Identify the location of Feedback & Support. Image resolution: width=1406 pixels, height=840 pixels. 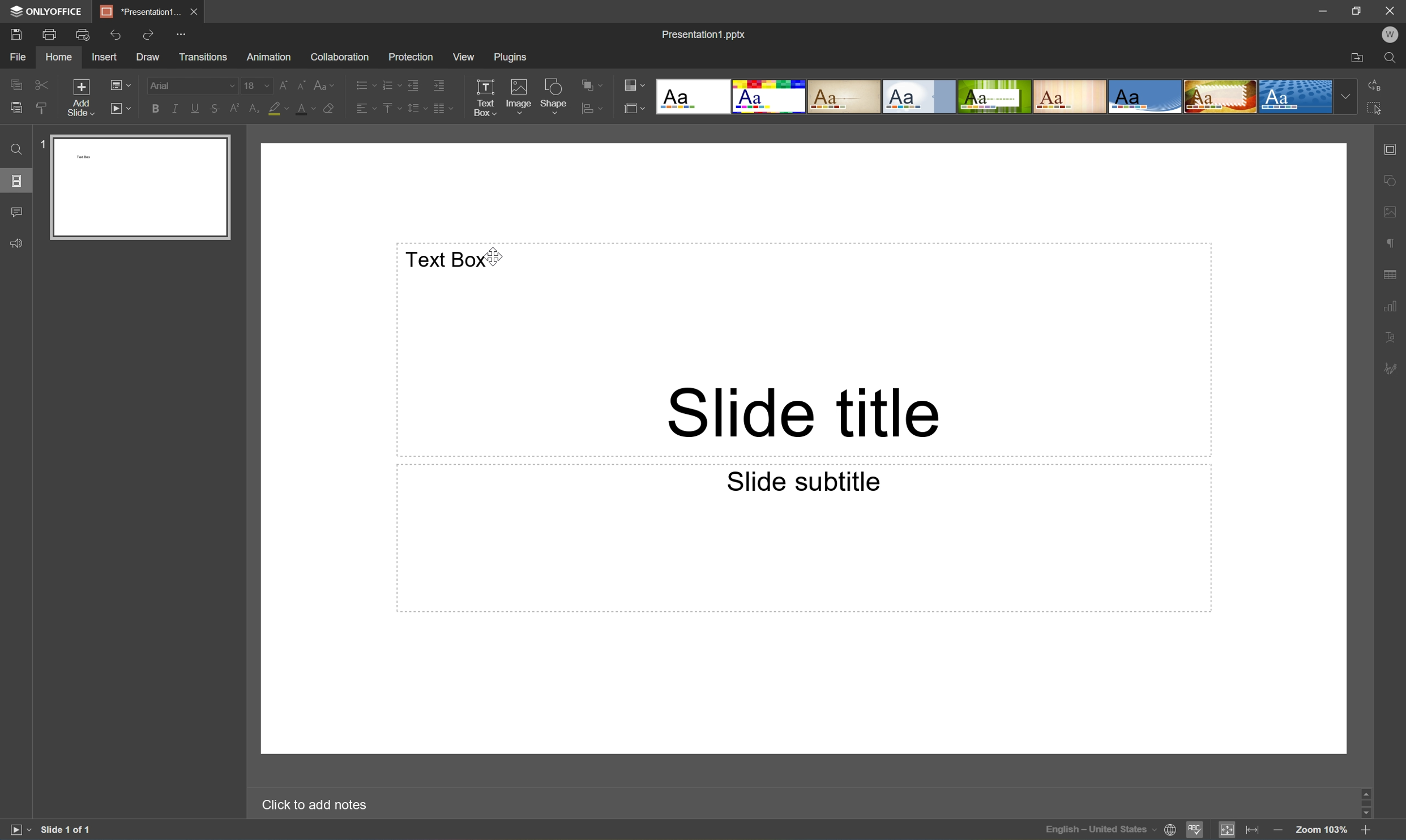
(16, 244).